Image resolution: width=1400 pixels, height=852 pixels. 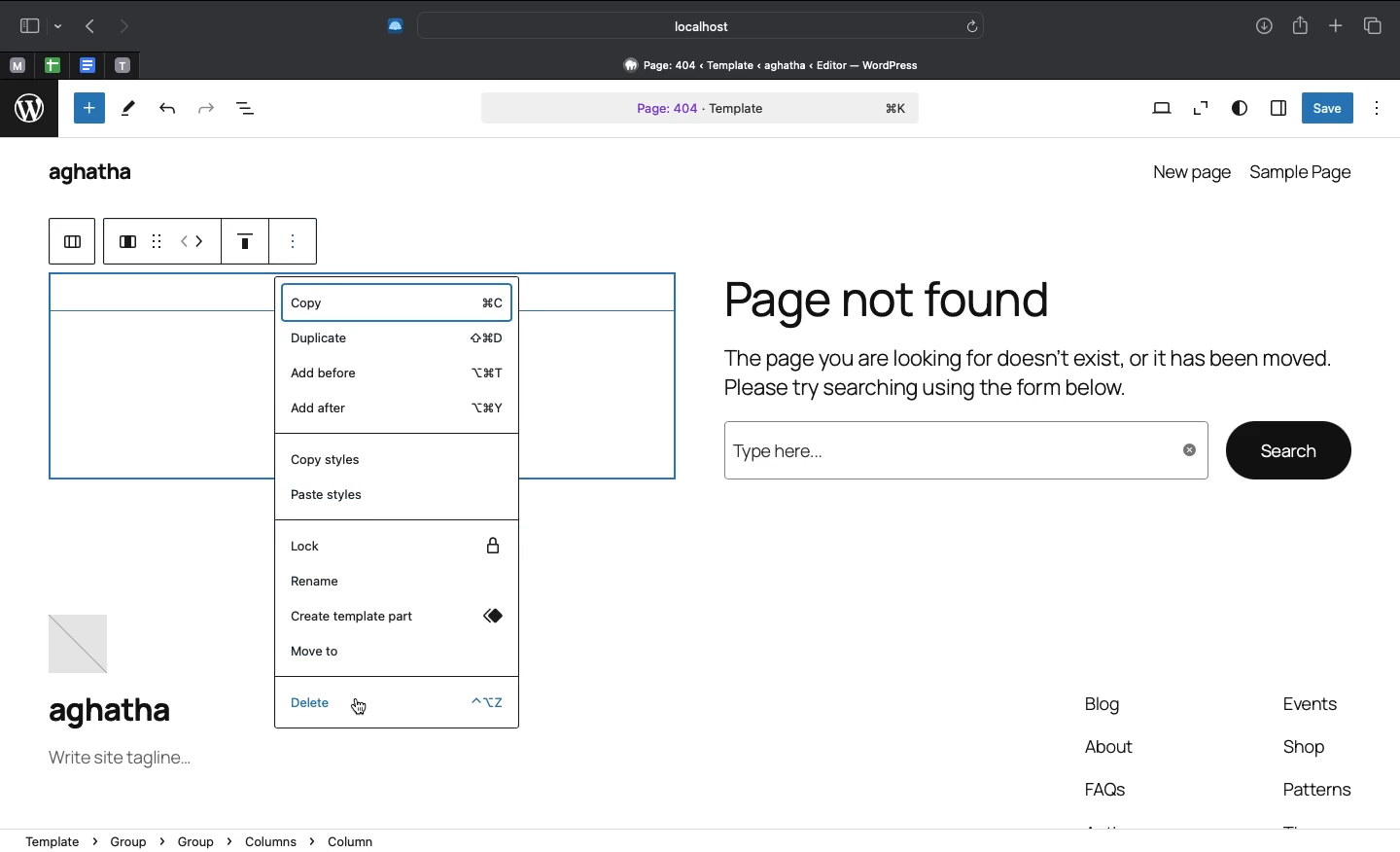 What do you see at coordinates (192, 240) in the screenshot?
I see `move left or right` at bounding box center [192, 240].